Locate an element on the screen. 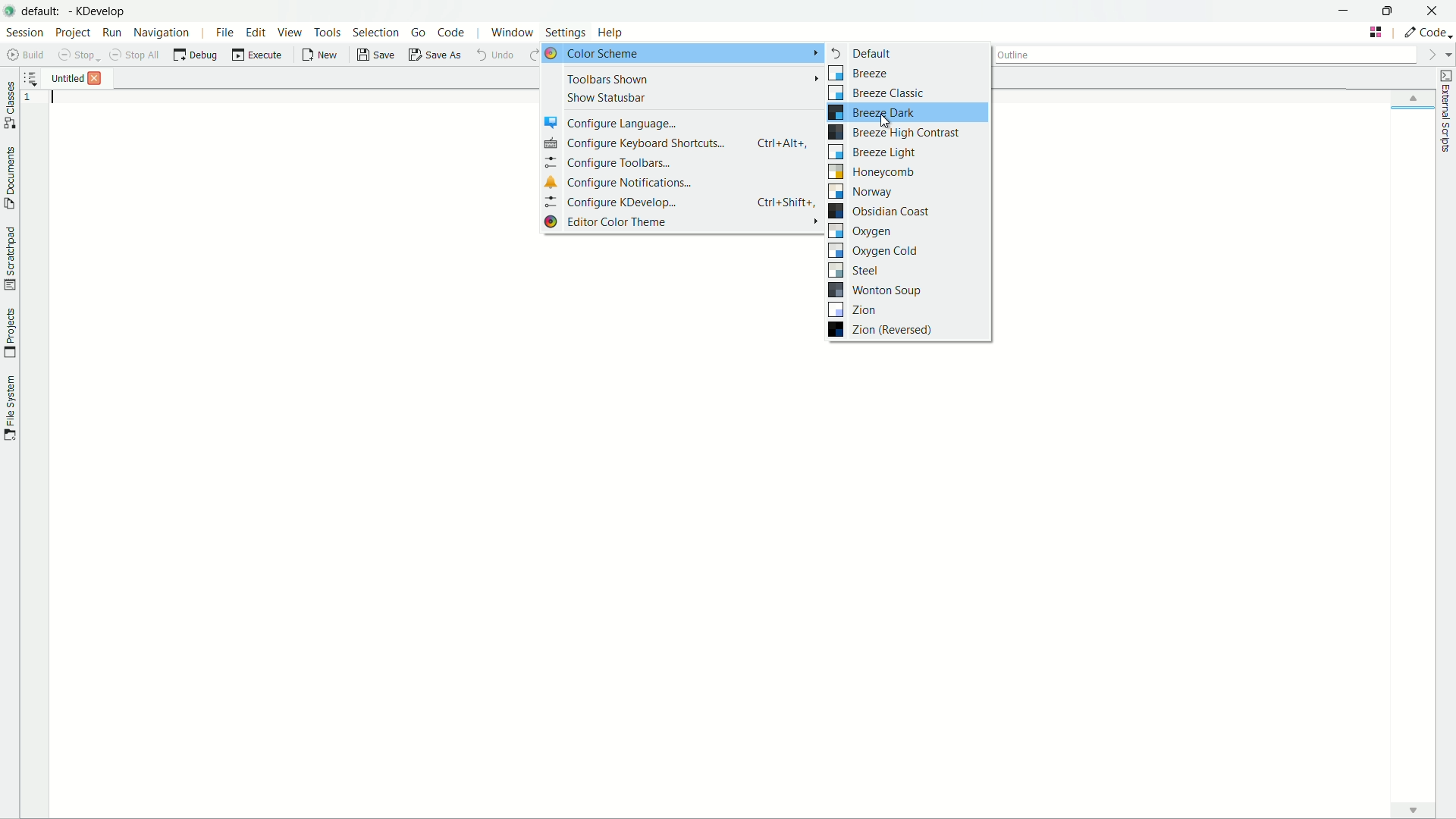 This screenshot has width=1456, height=819. toggle documents is located at coordinates (12, 180).